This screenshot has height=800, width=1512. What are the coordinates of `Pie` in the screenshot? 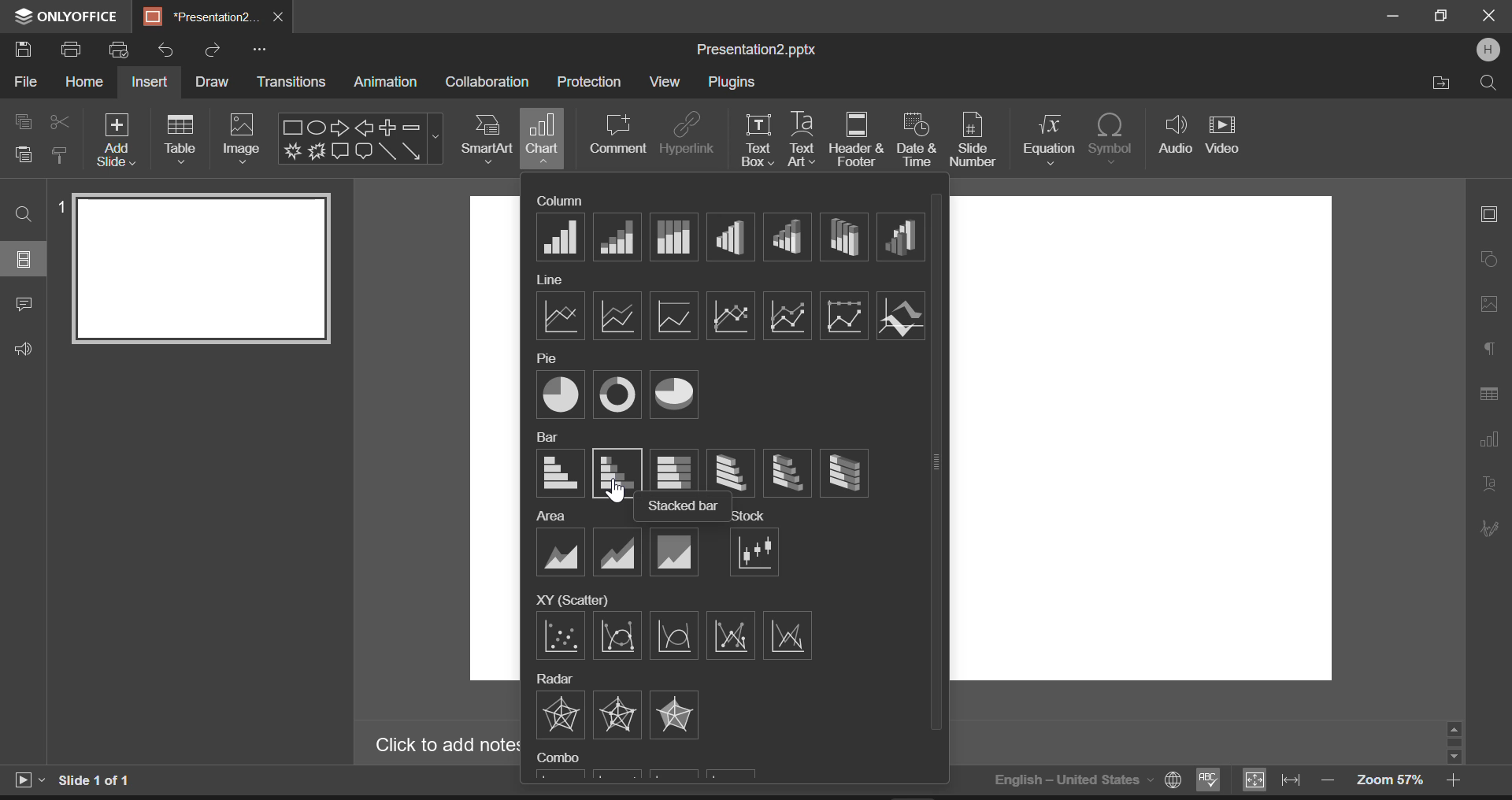 It's located at (564, 396).